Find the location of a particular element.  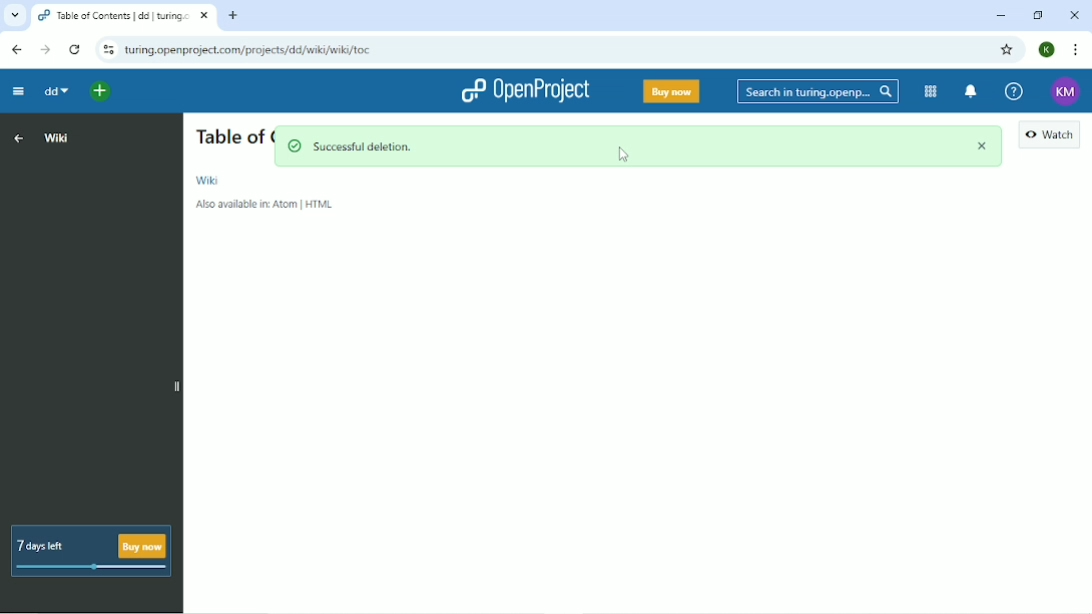

Also available in : Atom | HTML is located at coordinates (267, 205).